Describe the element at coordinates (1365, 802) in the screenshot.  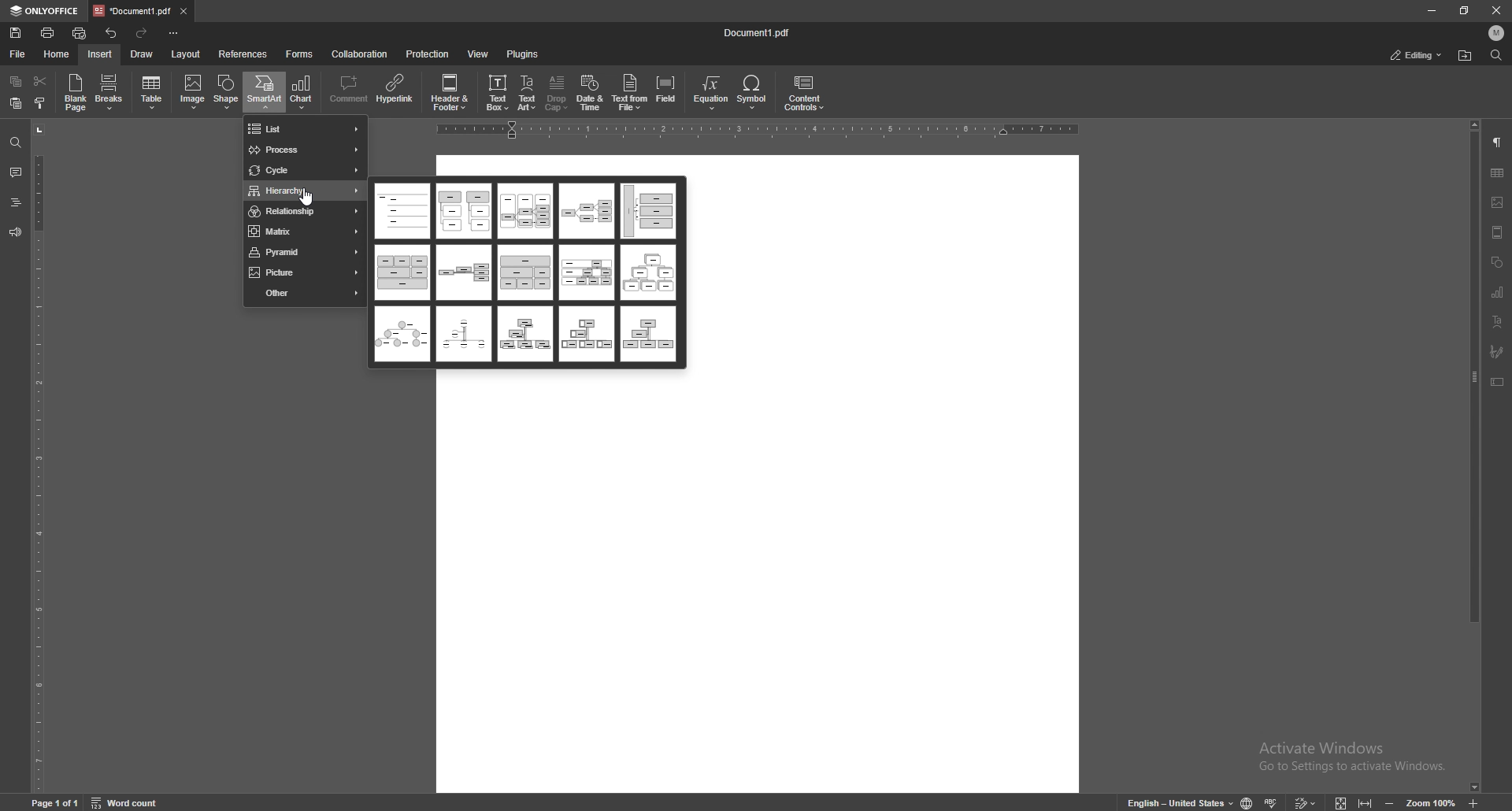
I see `fit to width` at that location.